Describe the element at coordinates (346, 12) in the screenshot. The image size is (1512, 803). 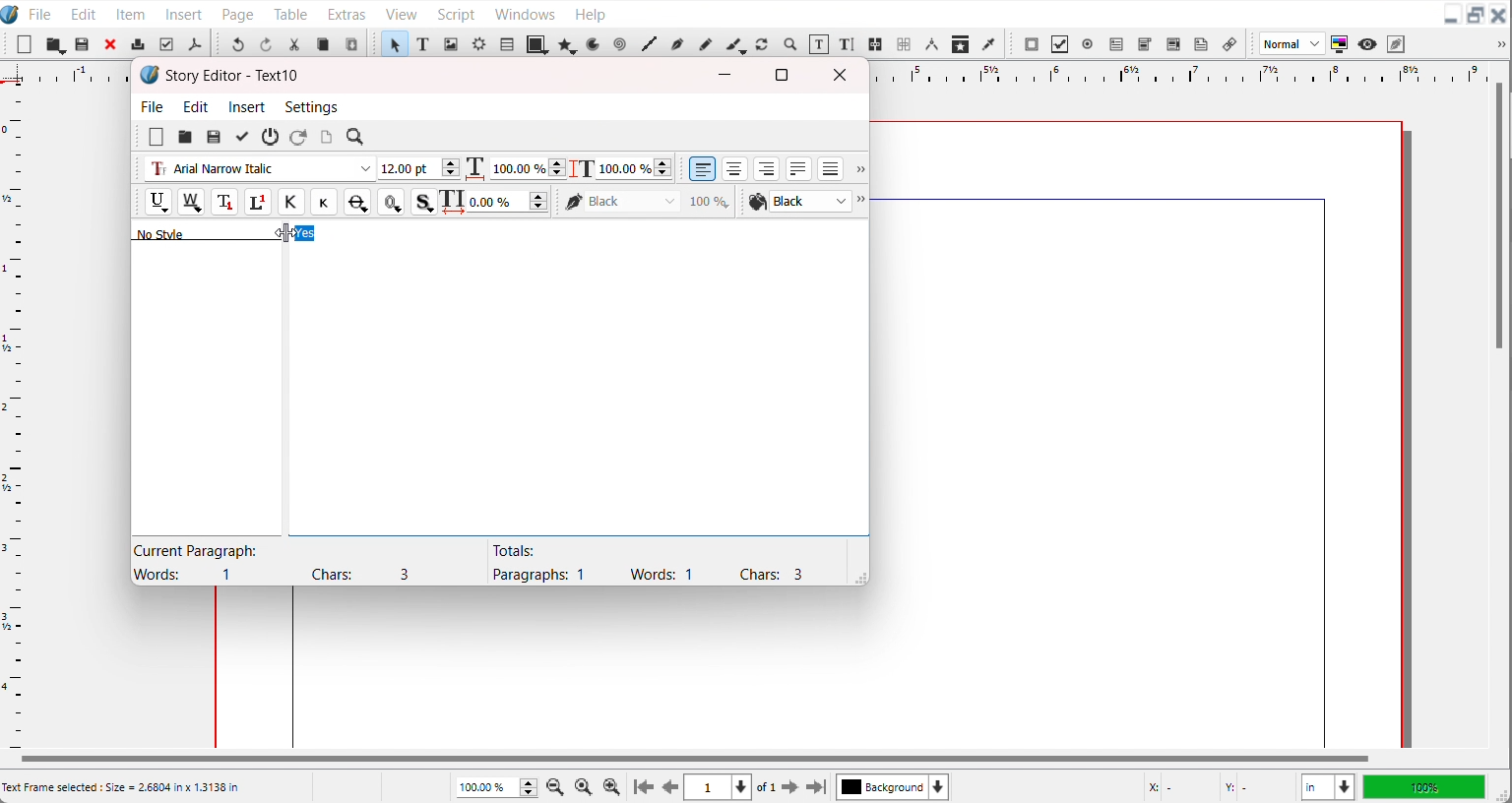
I see `Extras` at that location.